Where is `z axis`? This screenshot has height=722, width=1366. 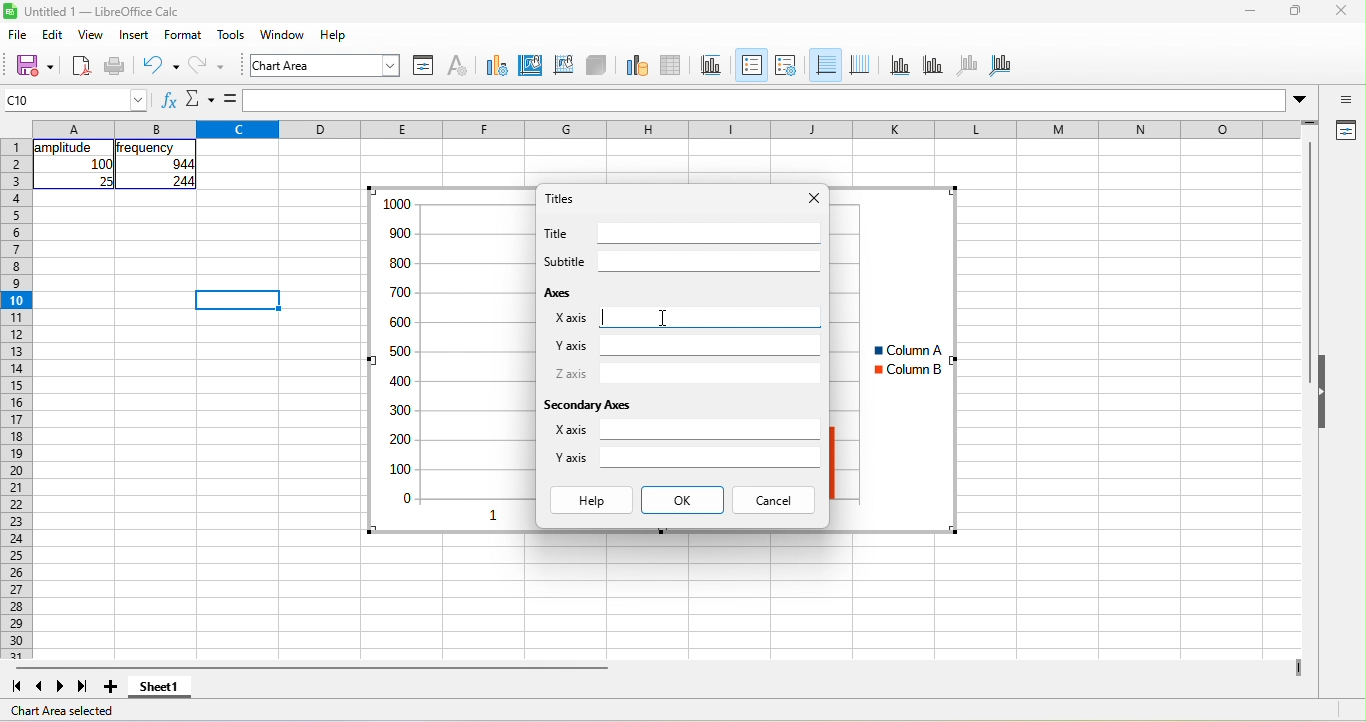
z axis is located at coordinates (968, 66).